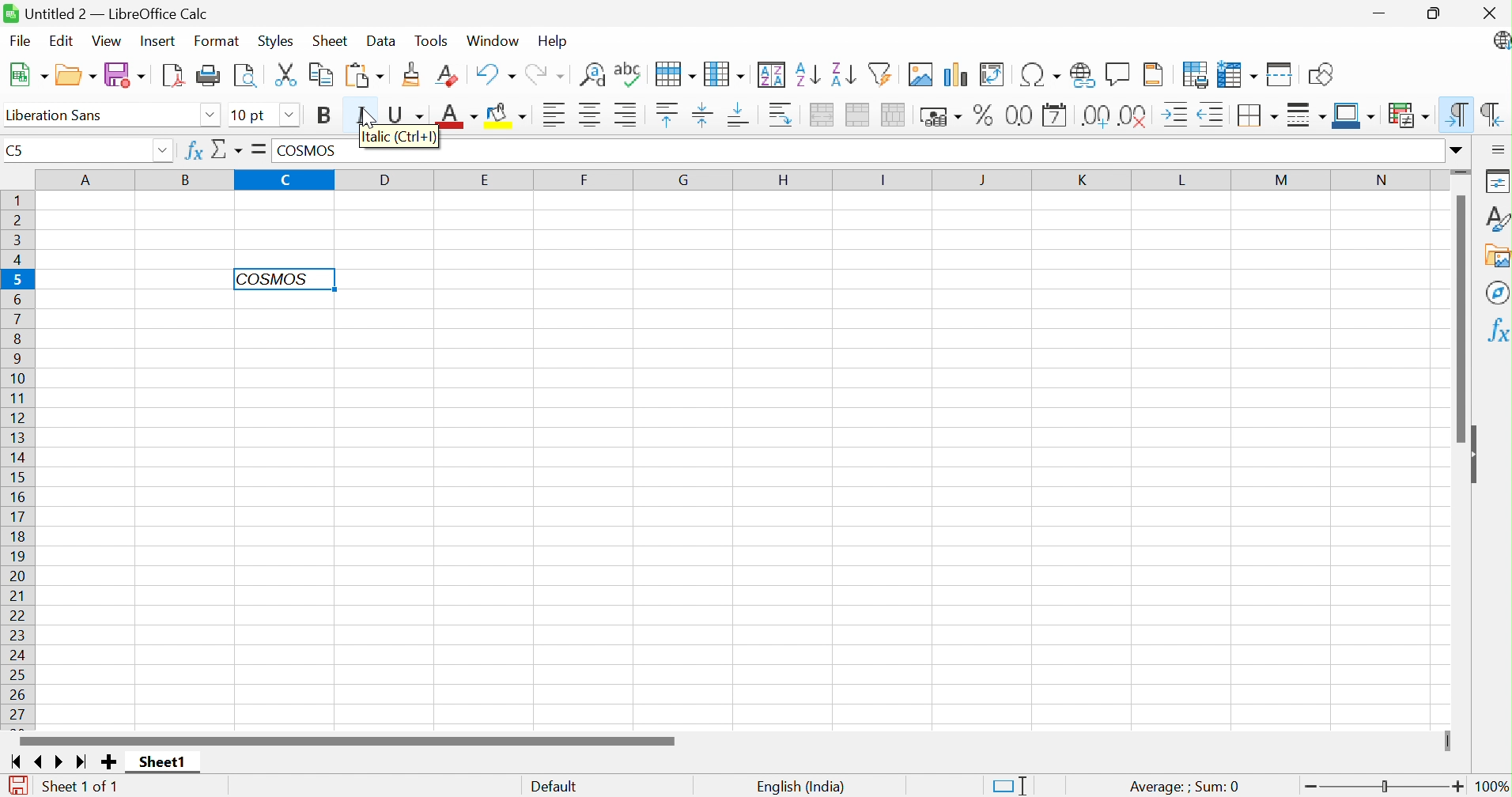  What do you see at coordinates (592, 75) in the screenshot?
I see `Find and replace` at bounding box center [592, 75].